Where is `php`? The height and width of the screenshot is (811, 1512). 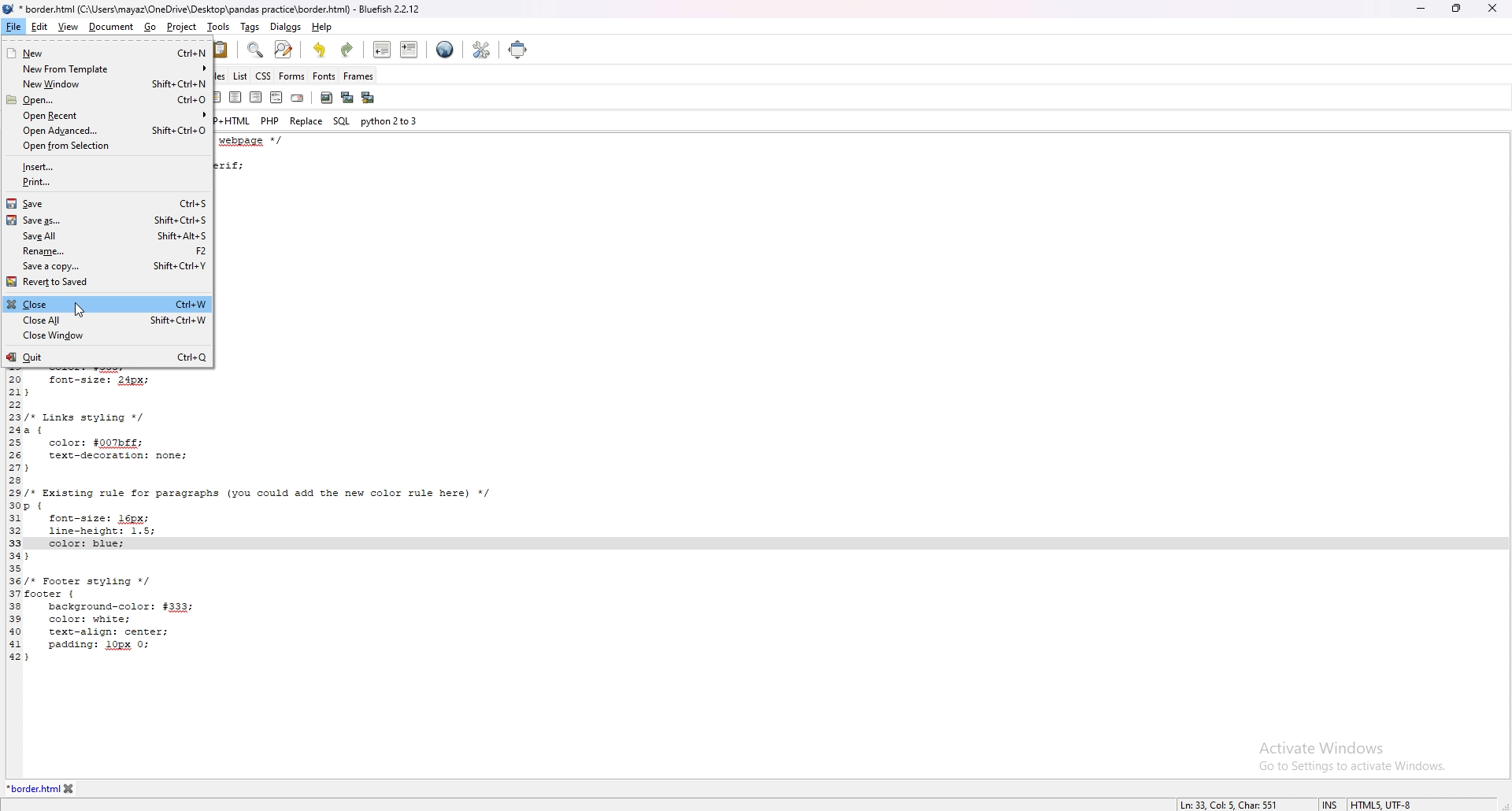
php is located at coordinates (271, 120).